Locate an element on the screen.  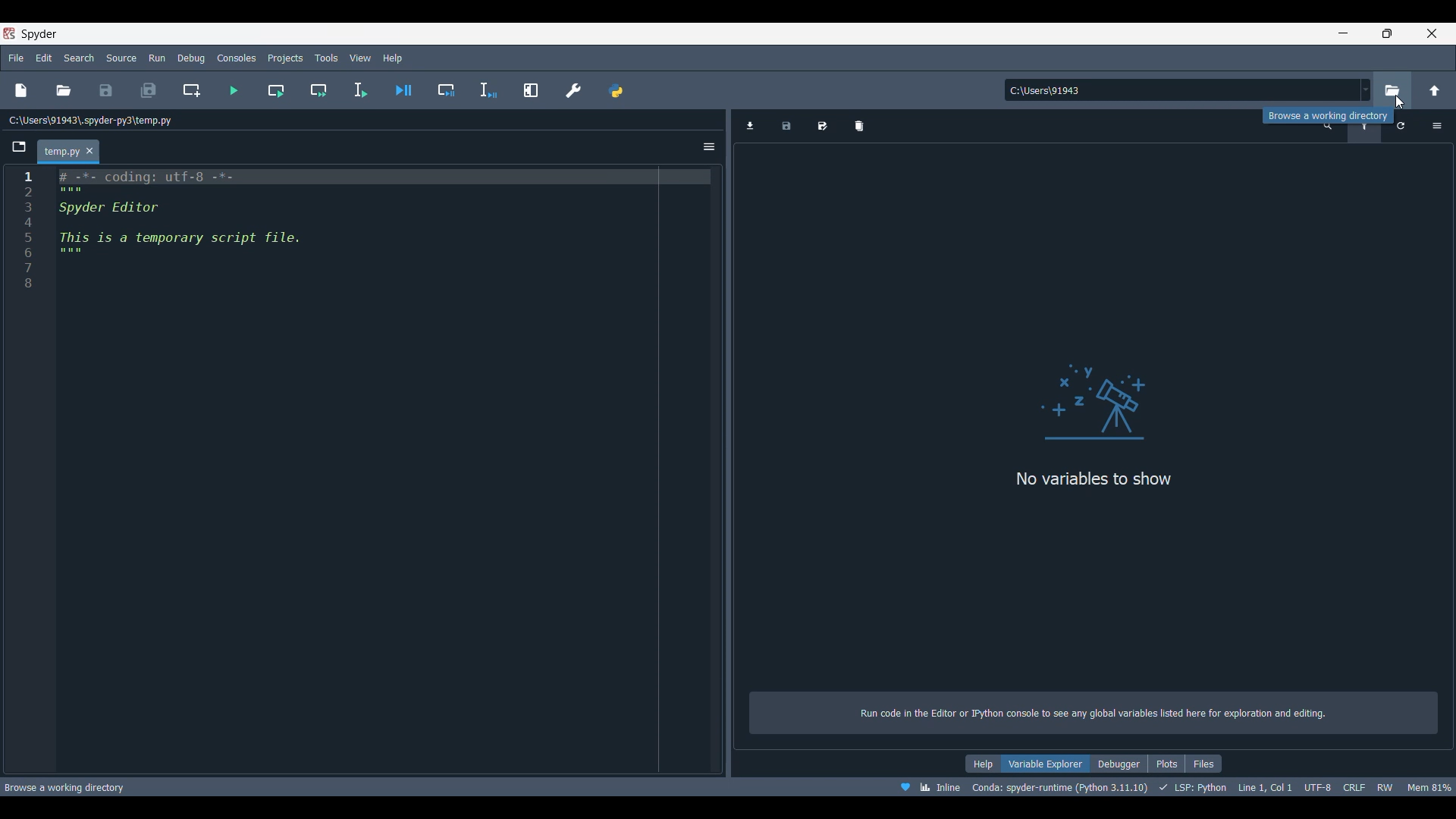
Debug file is located at coordinates (403, 90).